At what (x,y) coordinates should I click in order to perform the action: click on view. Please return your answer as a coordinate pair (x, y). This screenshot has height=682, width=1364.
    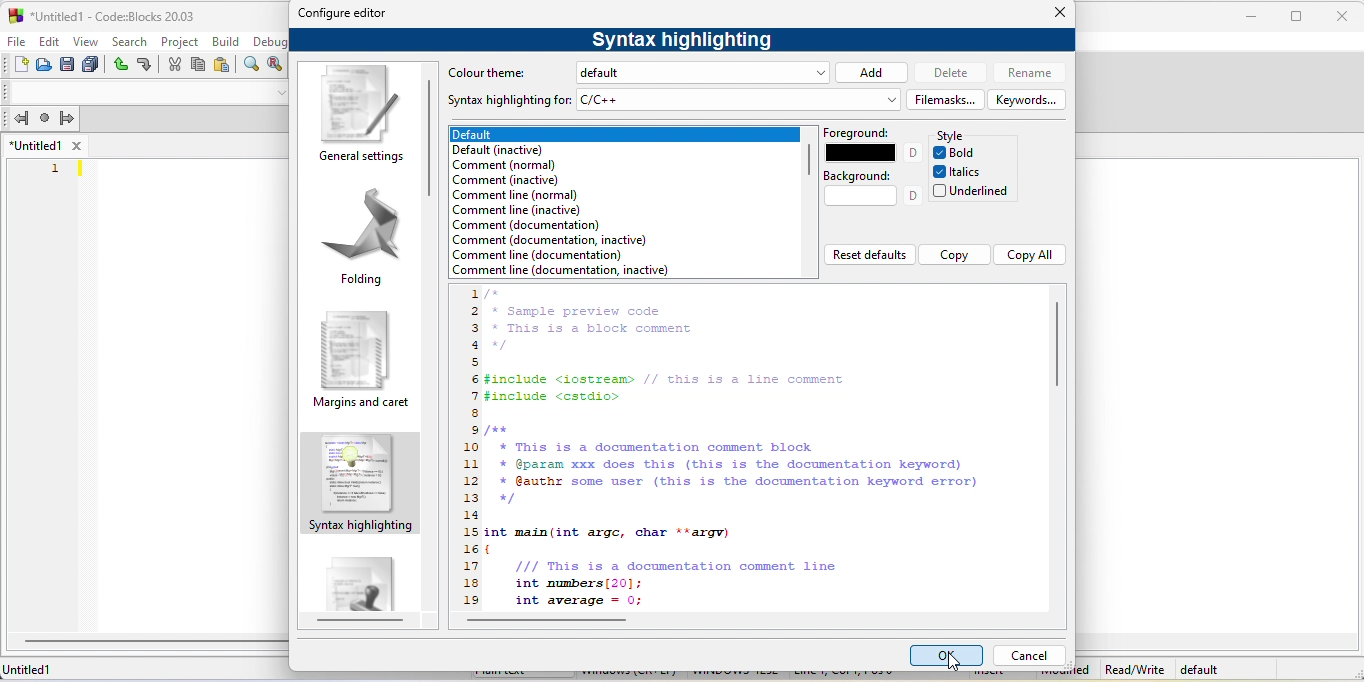
    Looking at the image, I should click on (85, 41).